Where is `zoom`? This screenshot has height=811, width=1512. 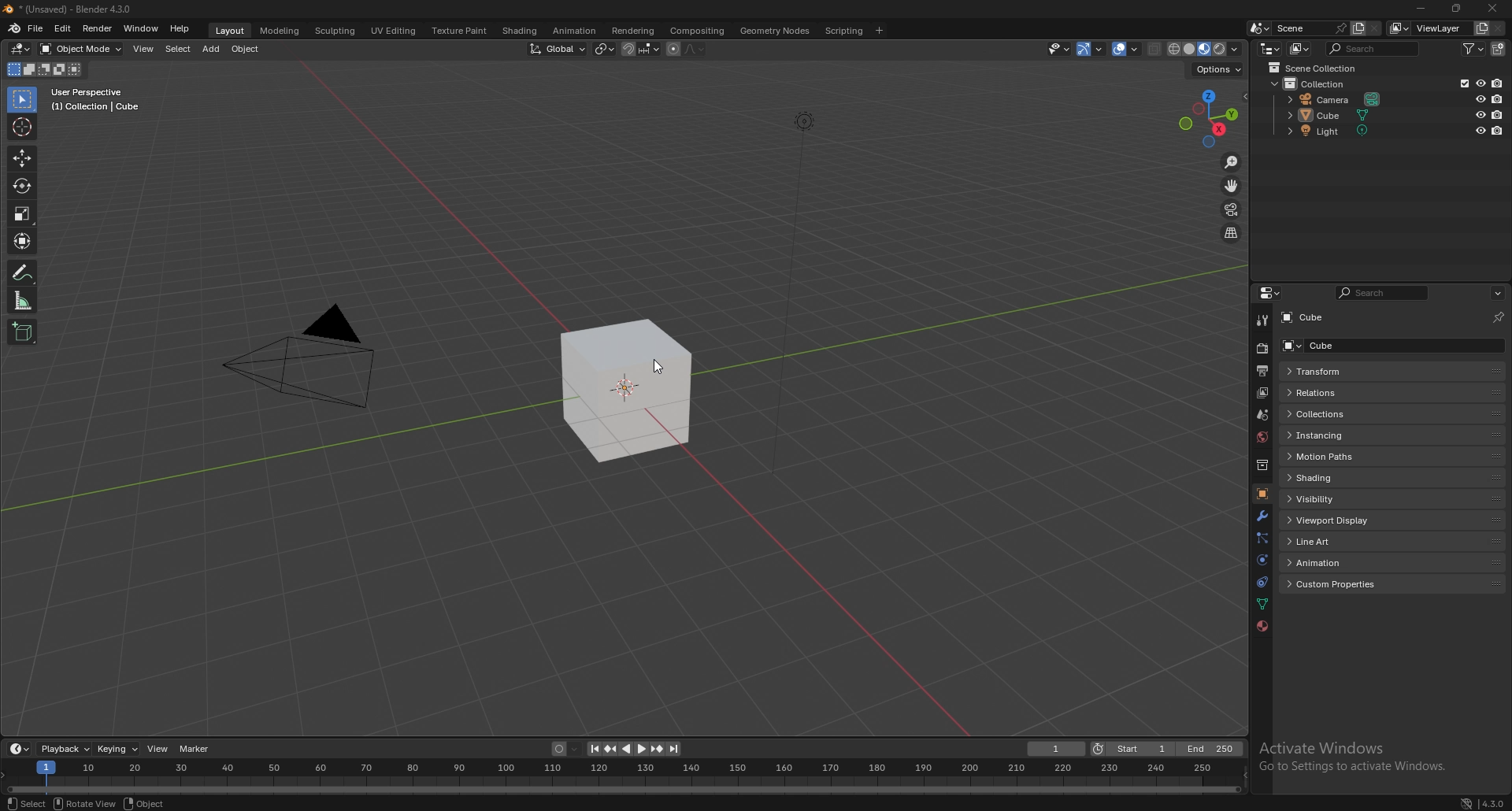 zoom is located at coordinates (1232, 162).